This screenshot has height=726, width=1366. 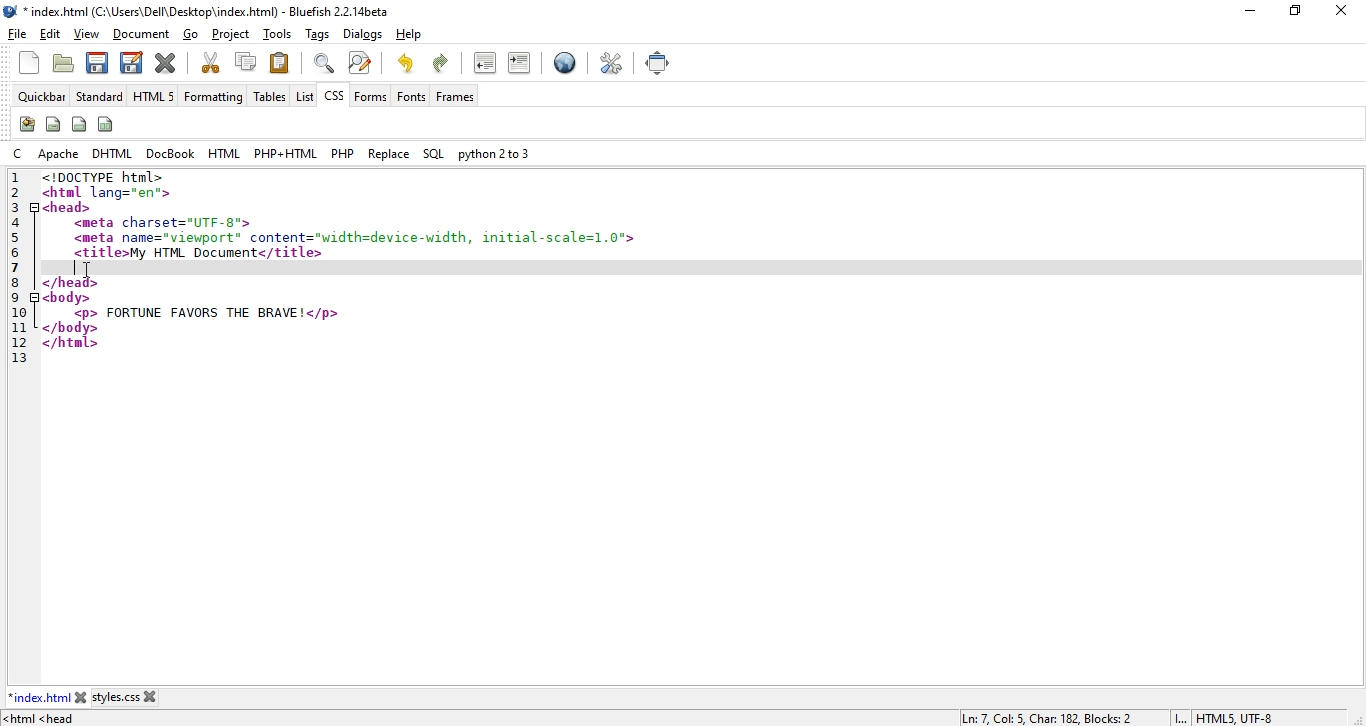 I want to click on 5, so click(x=22, y=239).